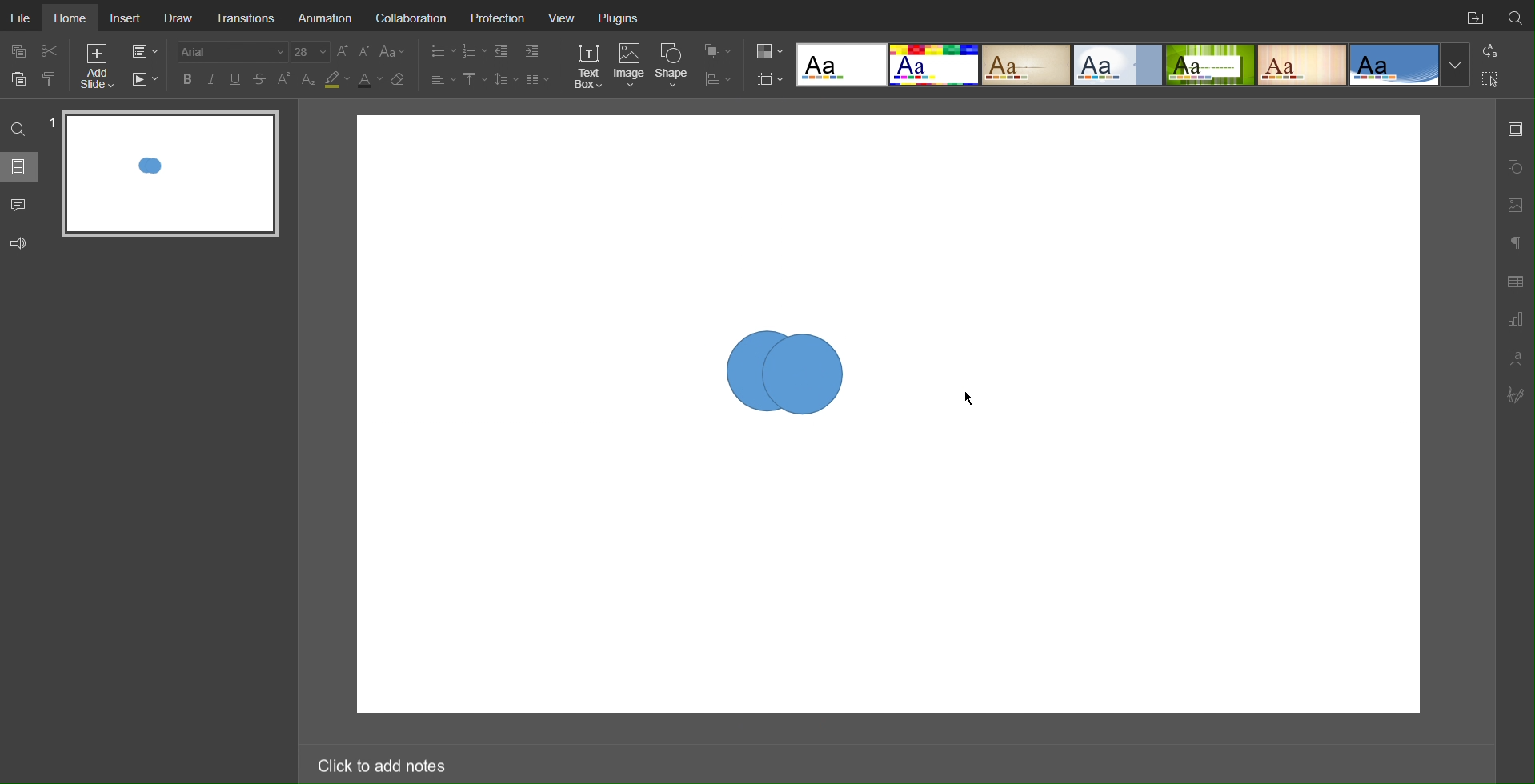 The height and width of the screenshot is (784, 1535). I want to click on Font Settings, so click(251, 51).